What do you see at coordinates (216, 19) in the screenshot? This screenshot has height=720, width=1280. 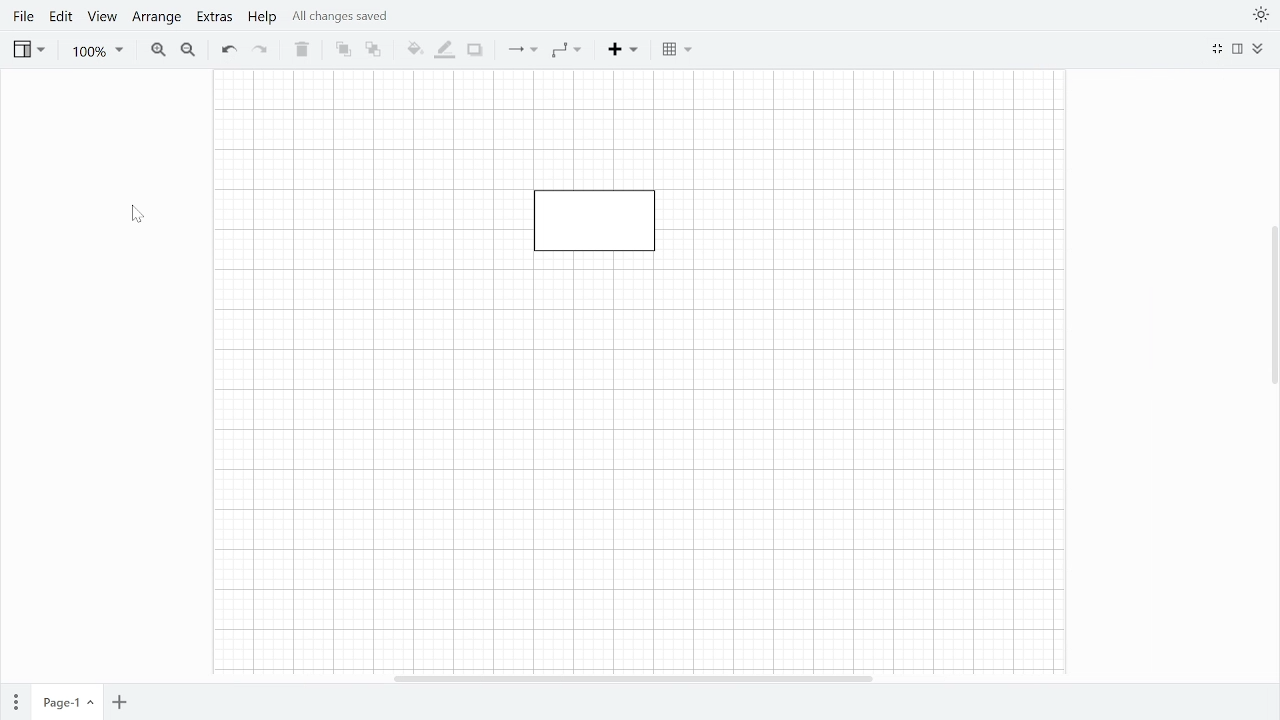 I see `Extras` at bounding box center [216, 19].